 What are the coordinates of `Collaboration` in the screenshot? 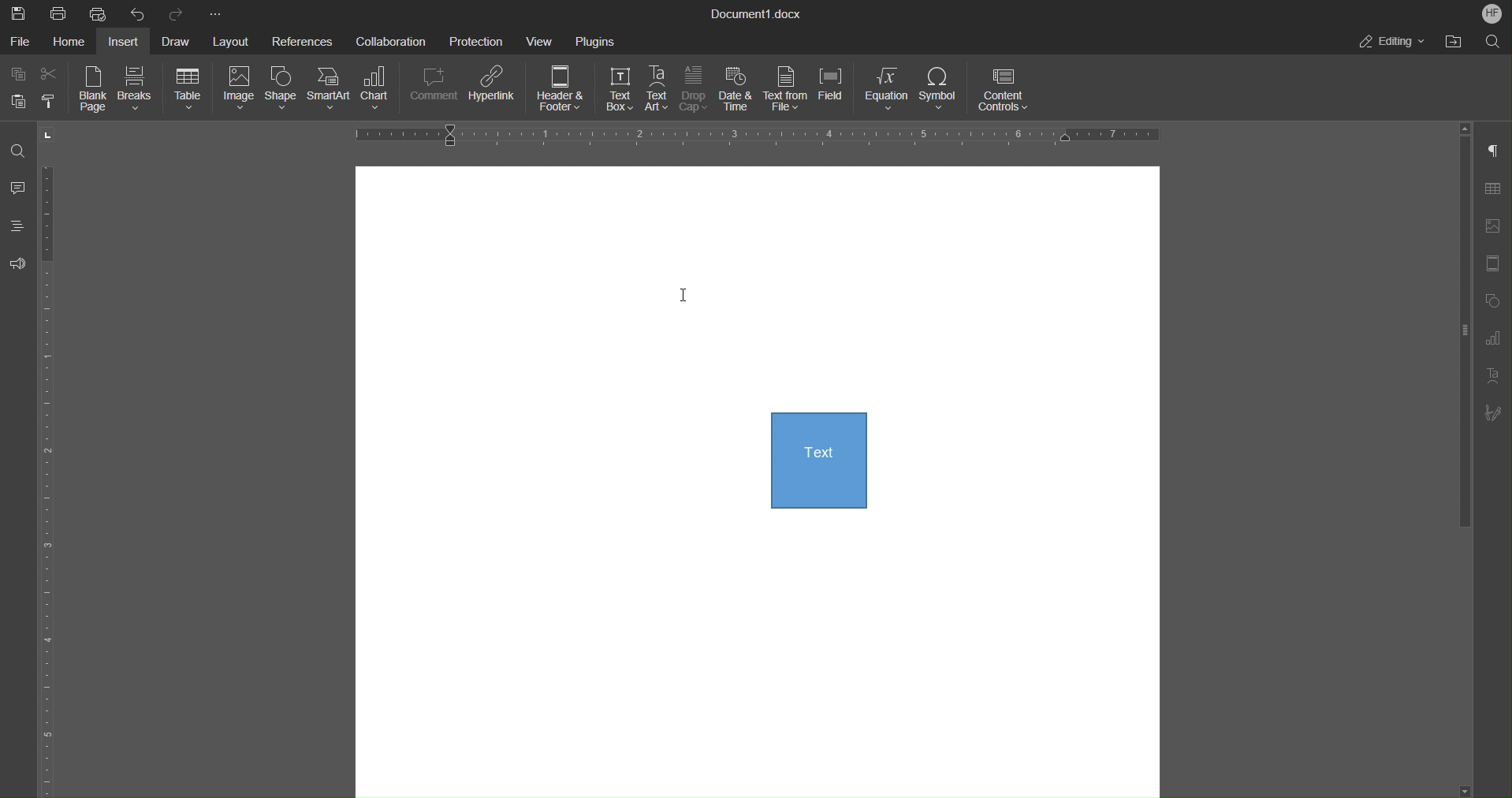 It's located at (389, 41).